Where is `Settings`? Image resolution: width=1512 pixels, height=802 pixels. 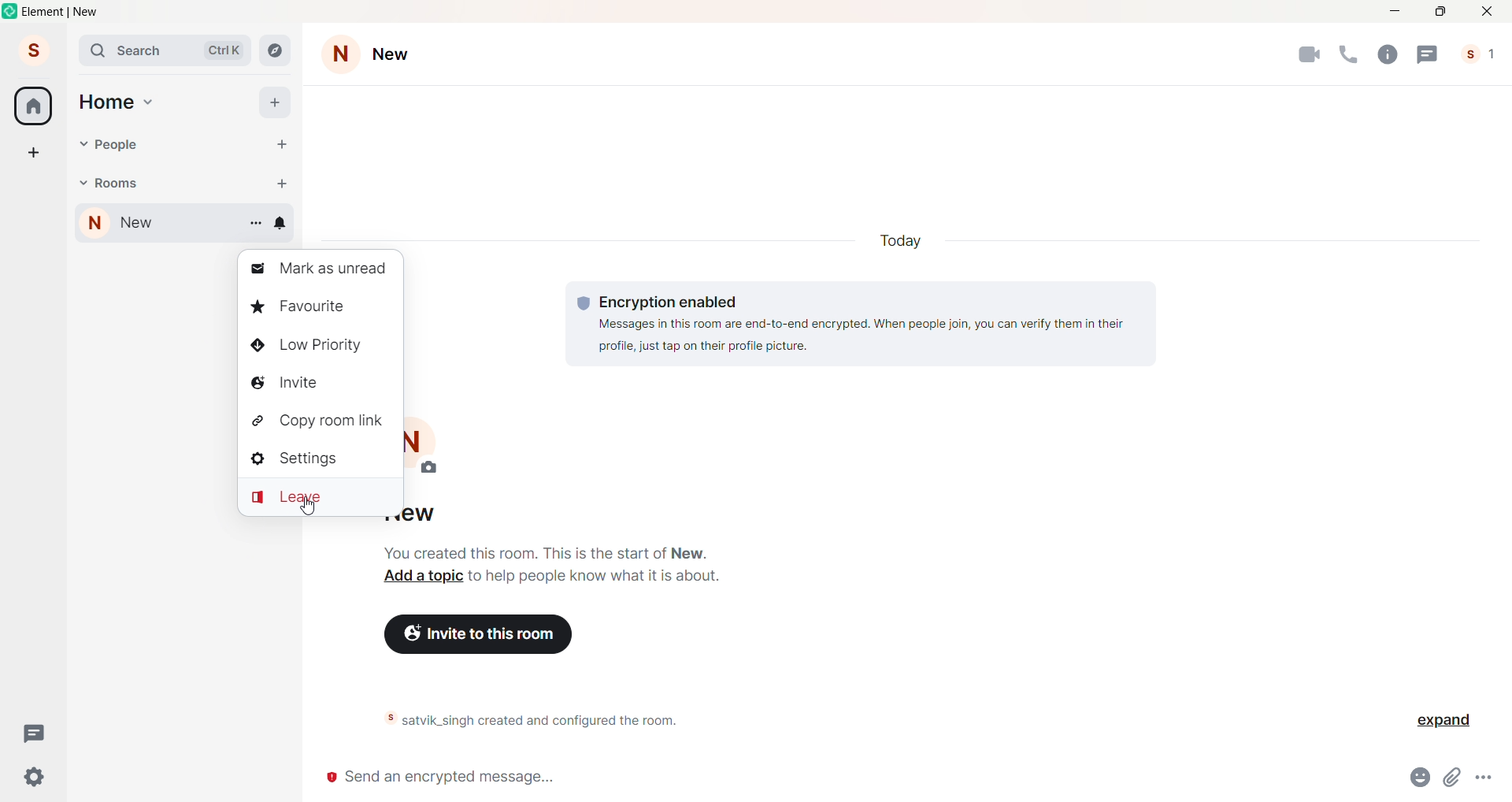 Settings is located at coordinates (318, 459).